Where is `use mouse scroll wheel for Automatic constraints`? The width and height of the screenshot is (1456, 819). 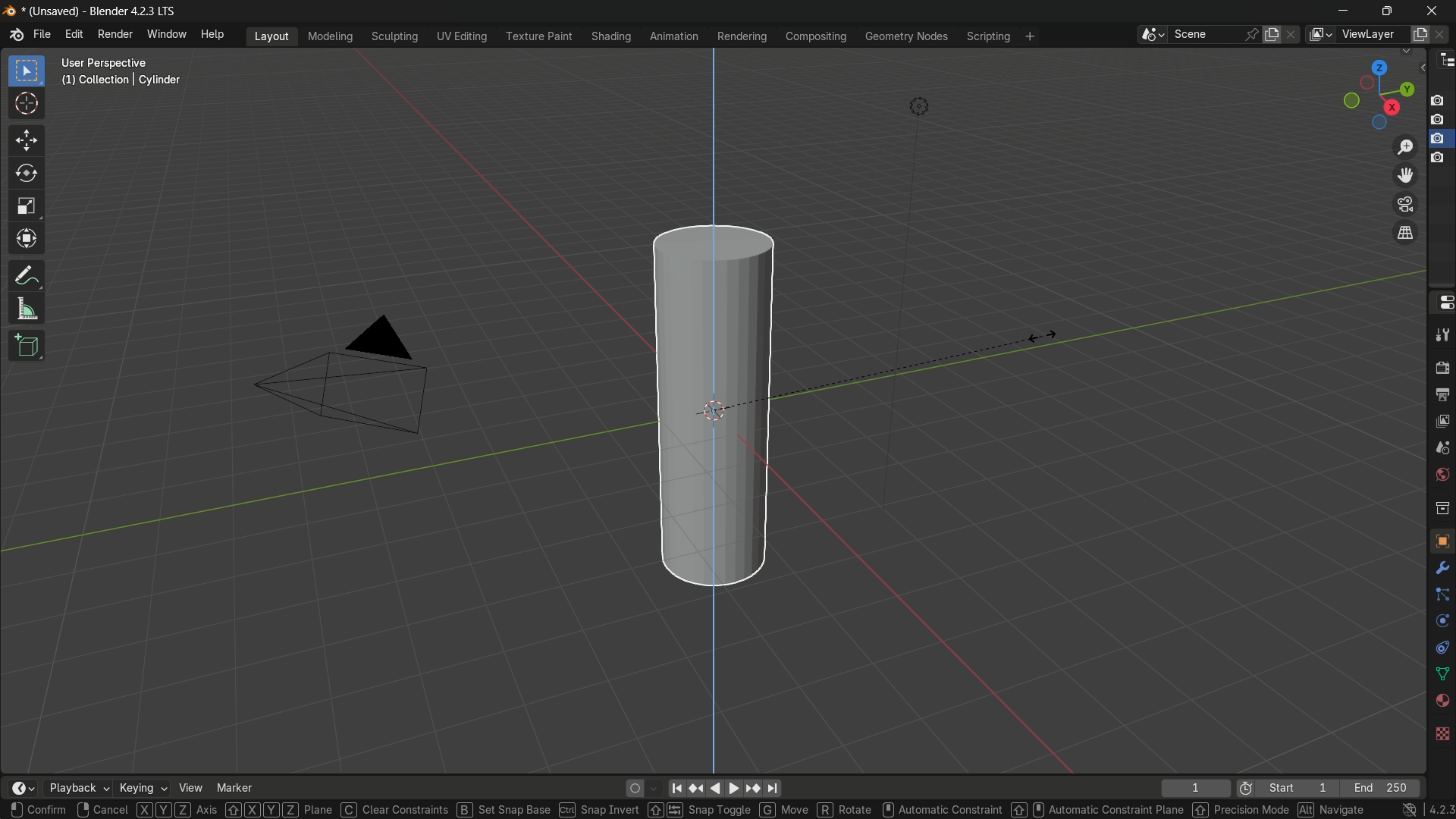 use mouse scroll wheel for Automatic constraints is located at coordinates (944, 810).